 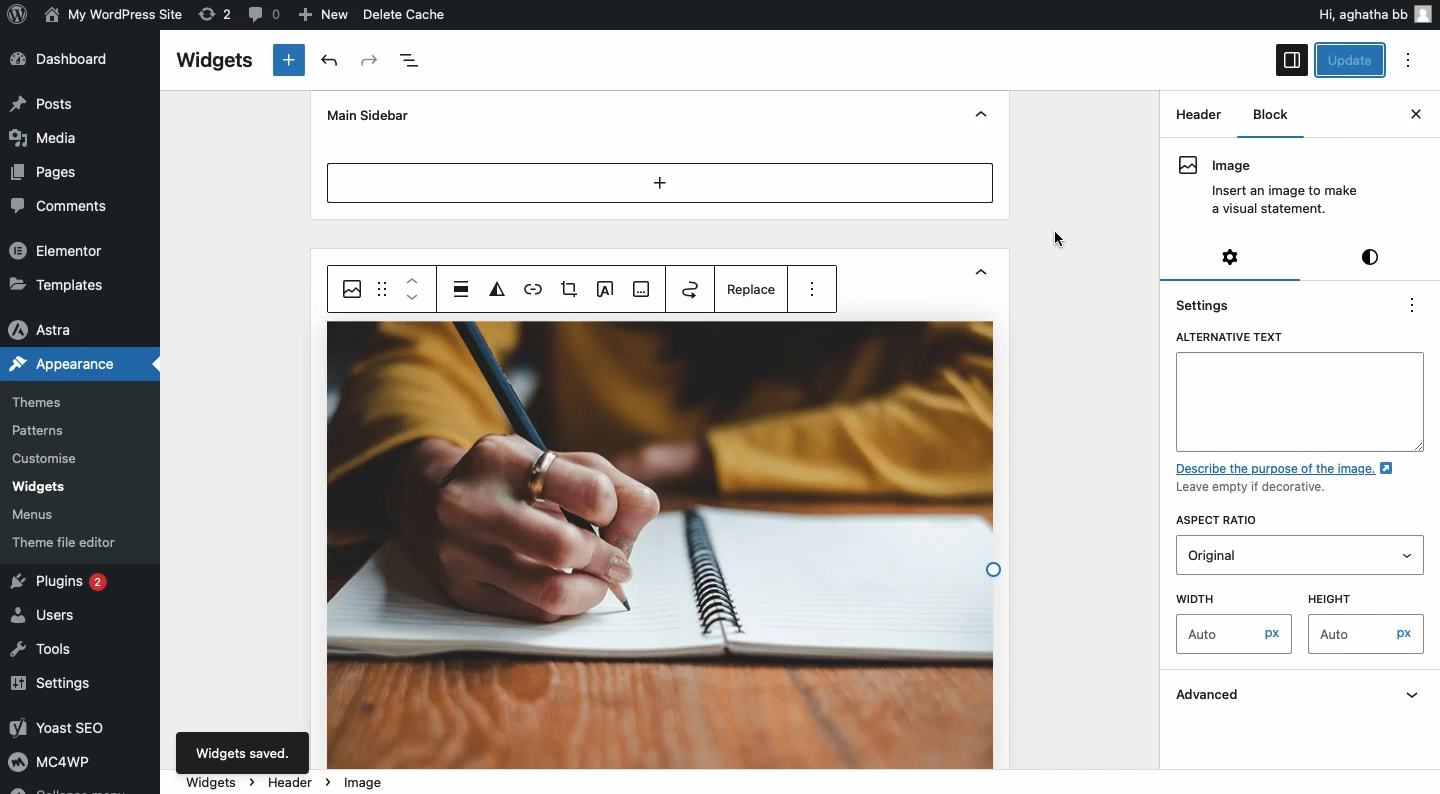 I want to click on Block, so click(x=1266, y=115).